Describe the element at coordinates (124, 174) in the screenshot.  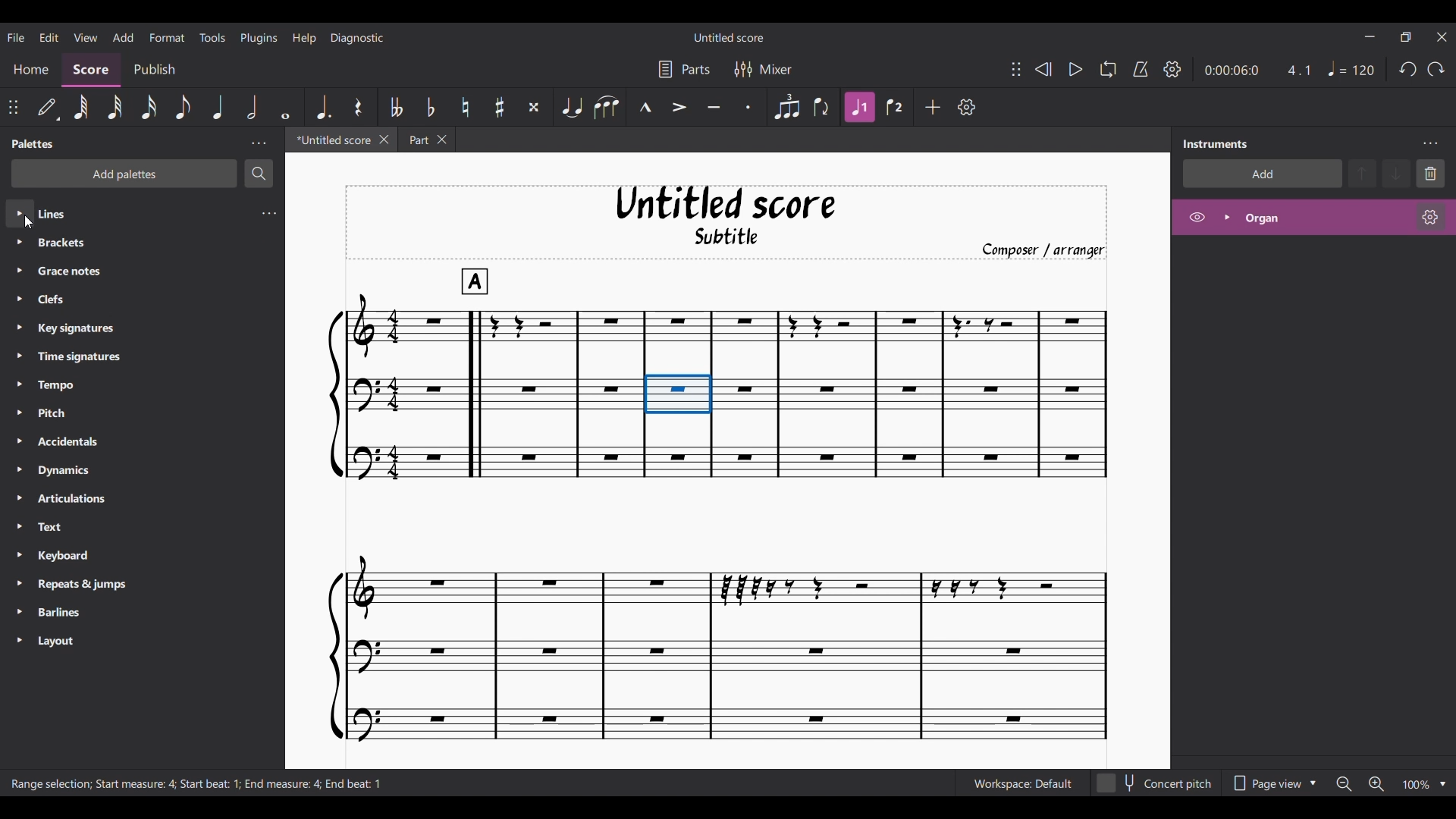
I see `Add palette` at that location.